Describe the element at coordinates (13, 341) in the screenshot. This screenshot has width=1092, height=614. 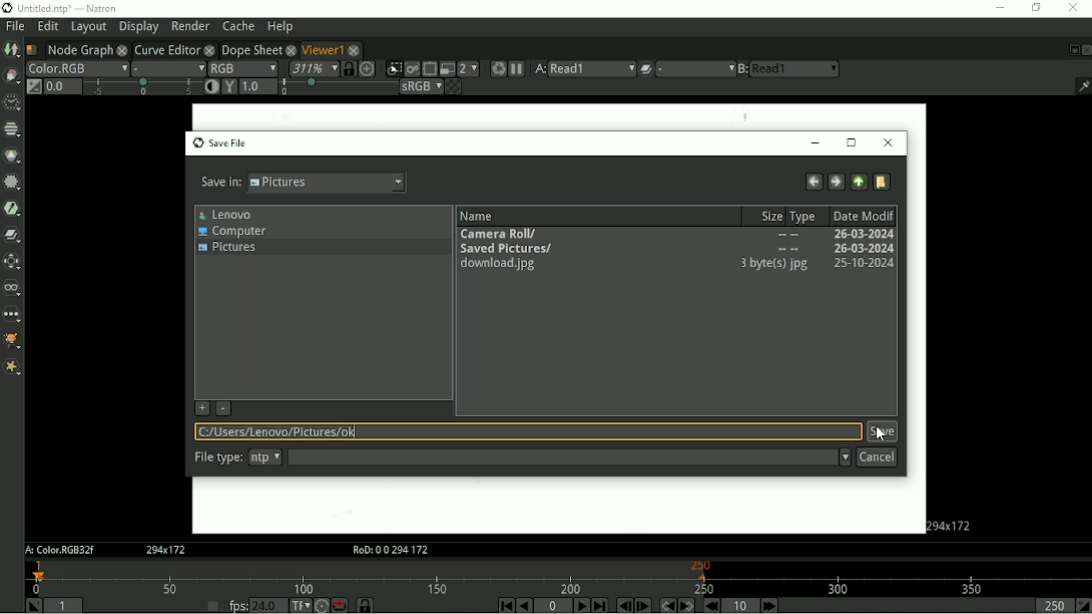
I see `GMIC` at that location.